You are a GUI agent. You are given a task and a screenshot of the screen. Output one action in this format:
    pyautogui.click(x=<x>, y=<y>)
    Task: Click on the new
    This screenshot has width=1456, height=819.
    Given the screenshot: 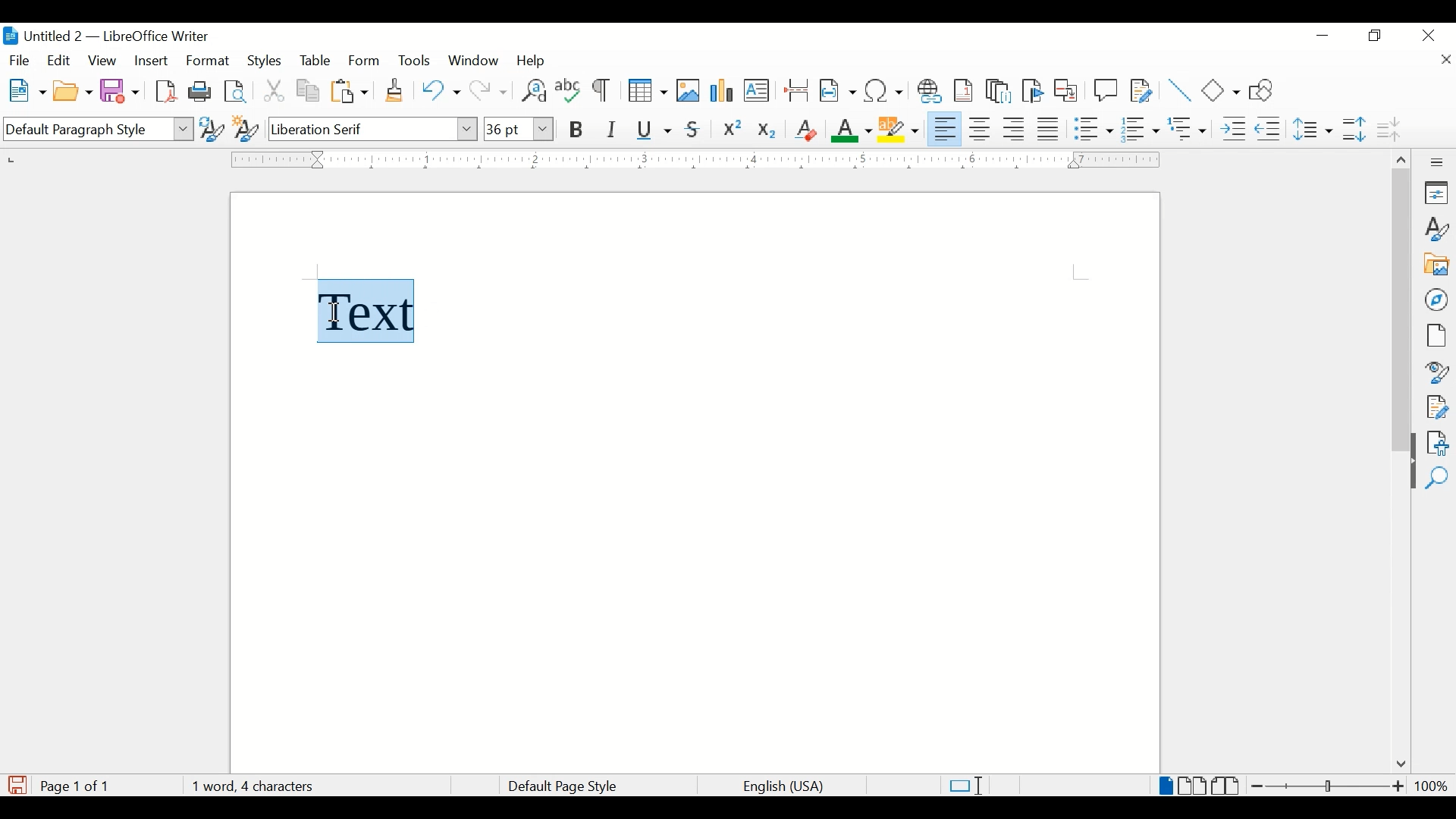 What is the action you would take?
    pyautogui.click(x=28, y=90)
    